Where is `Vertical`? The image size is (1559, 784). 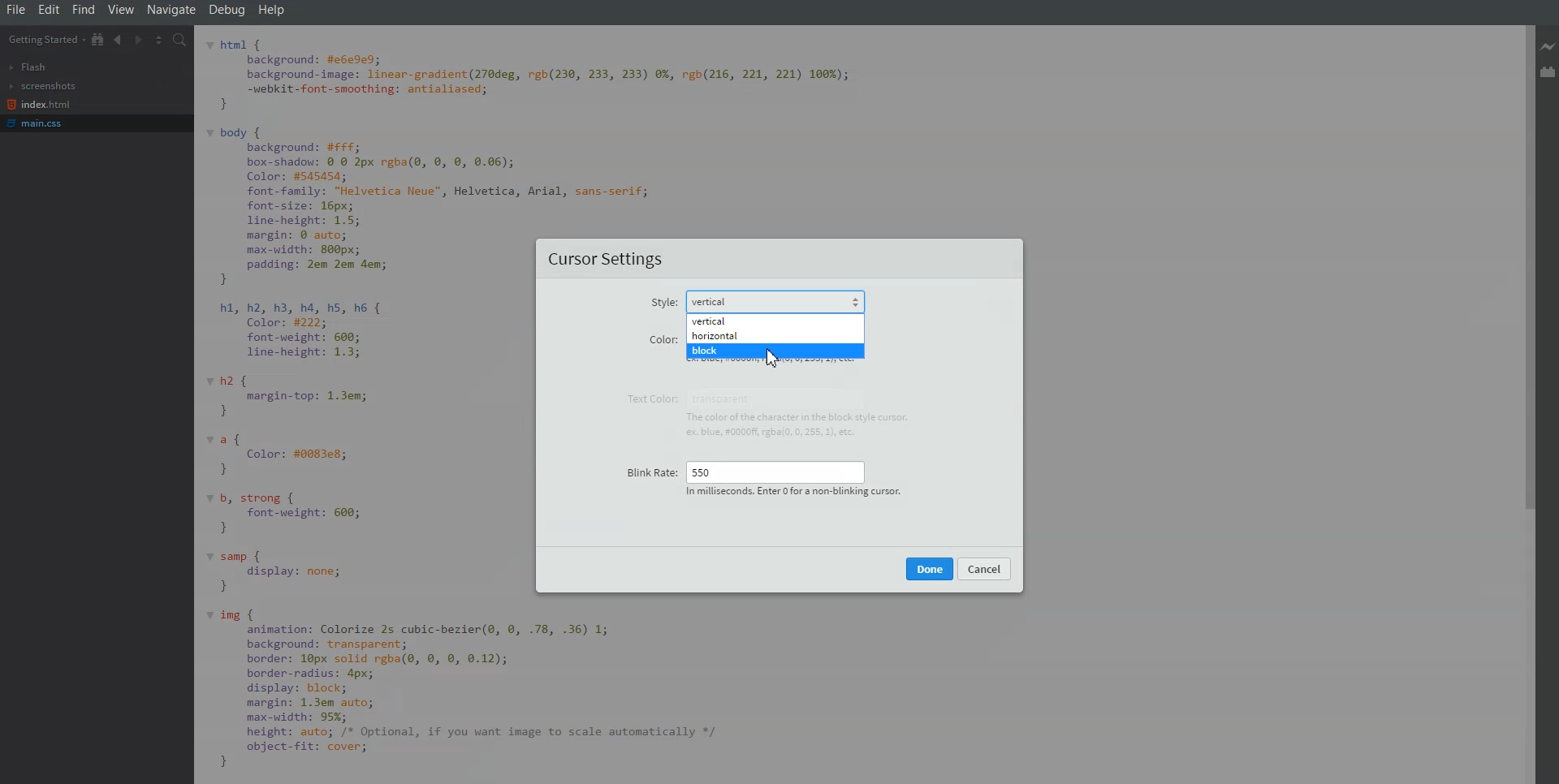
Vertical is located at coordinates (775, 320).